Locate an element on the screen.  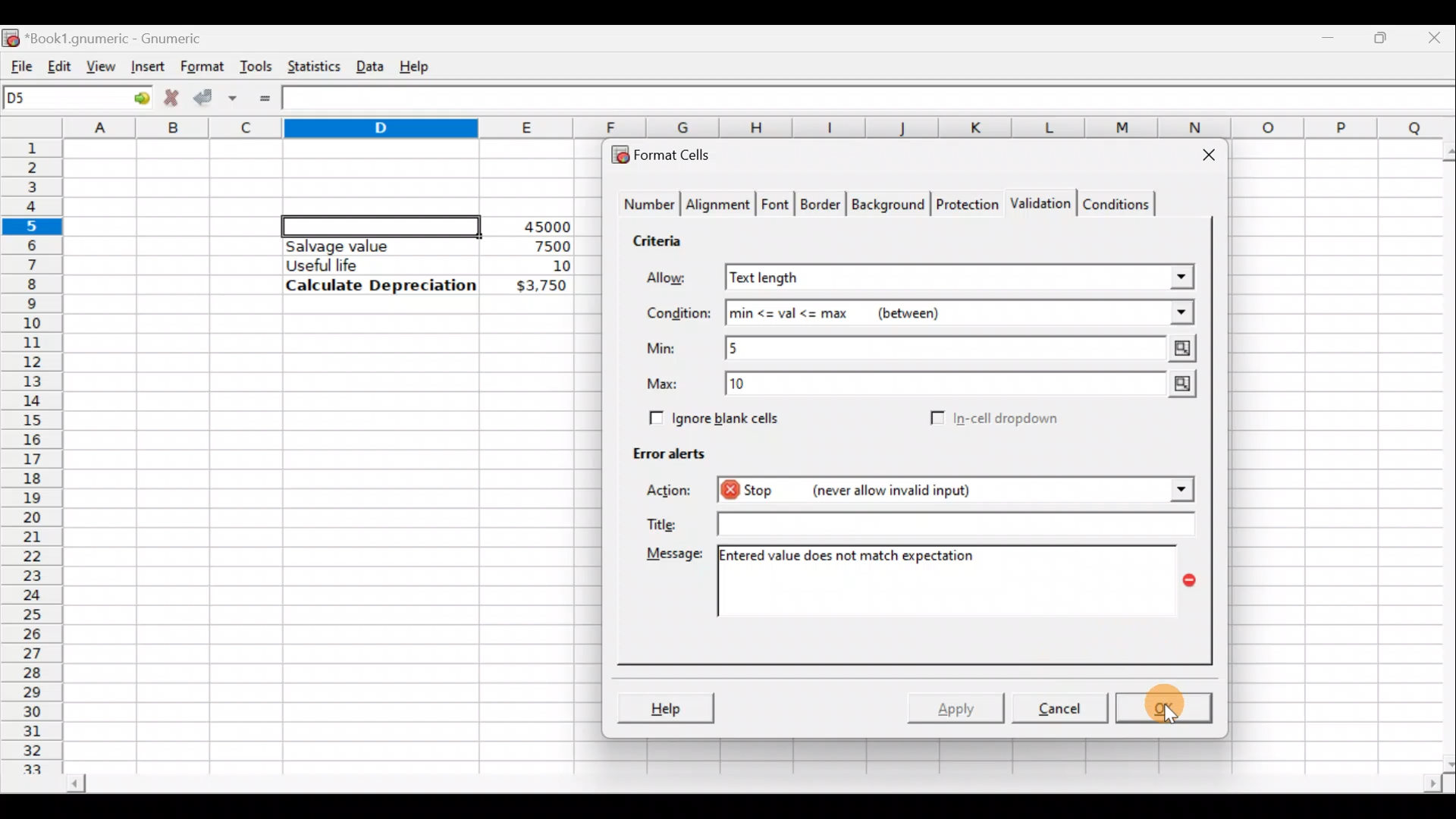
Go to is located at coordinates (136, 99).